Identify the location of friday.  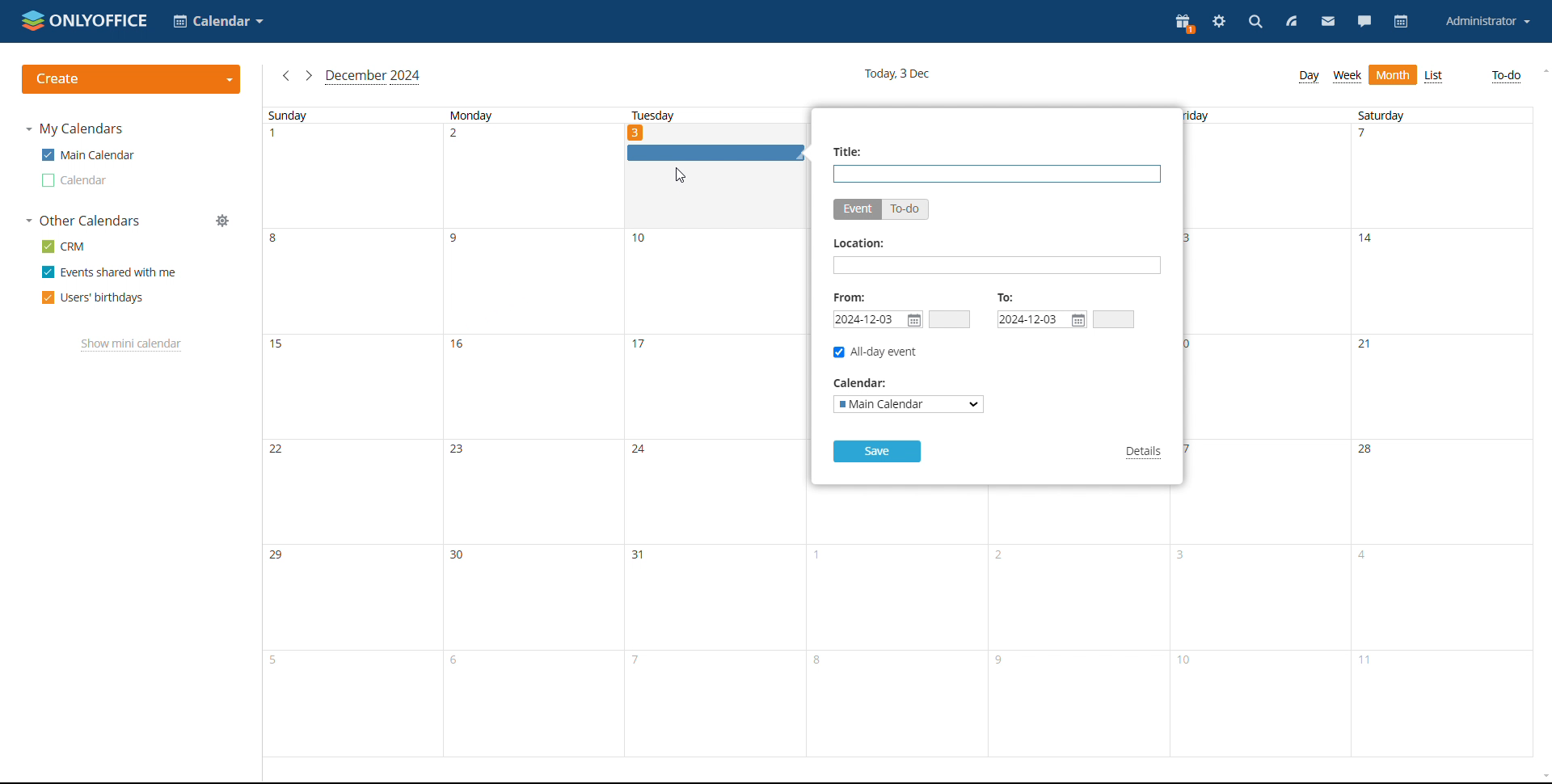
(1259, 432).